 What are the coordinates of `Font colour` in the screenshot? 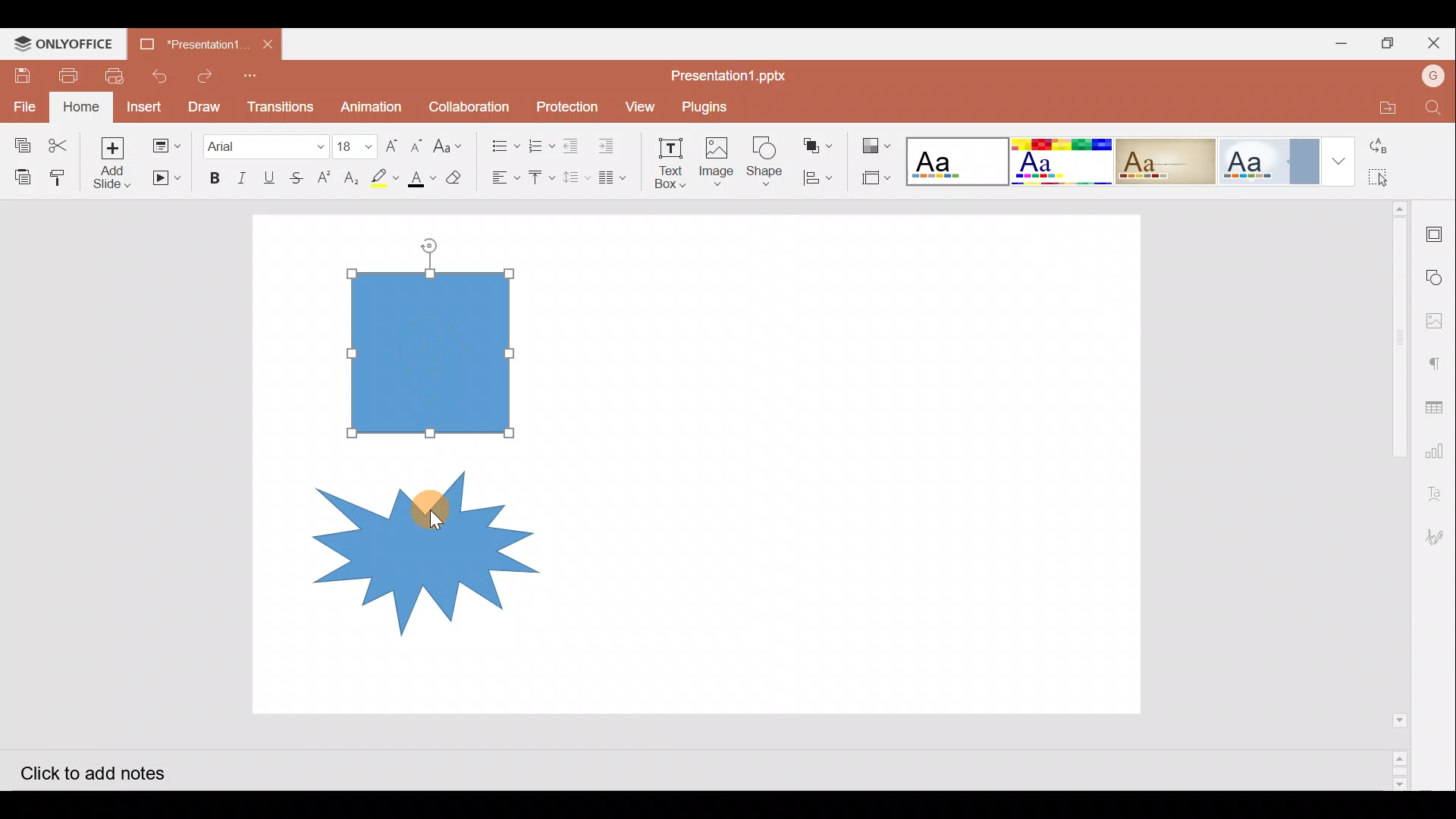 It's located at (420, 178).